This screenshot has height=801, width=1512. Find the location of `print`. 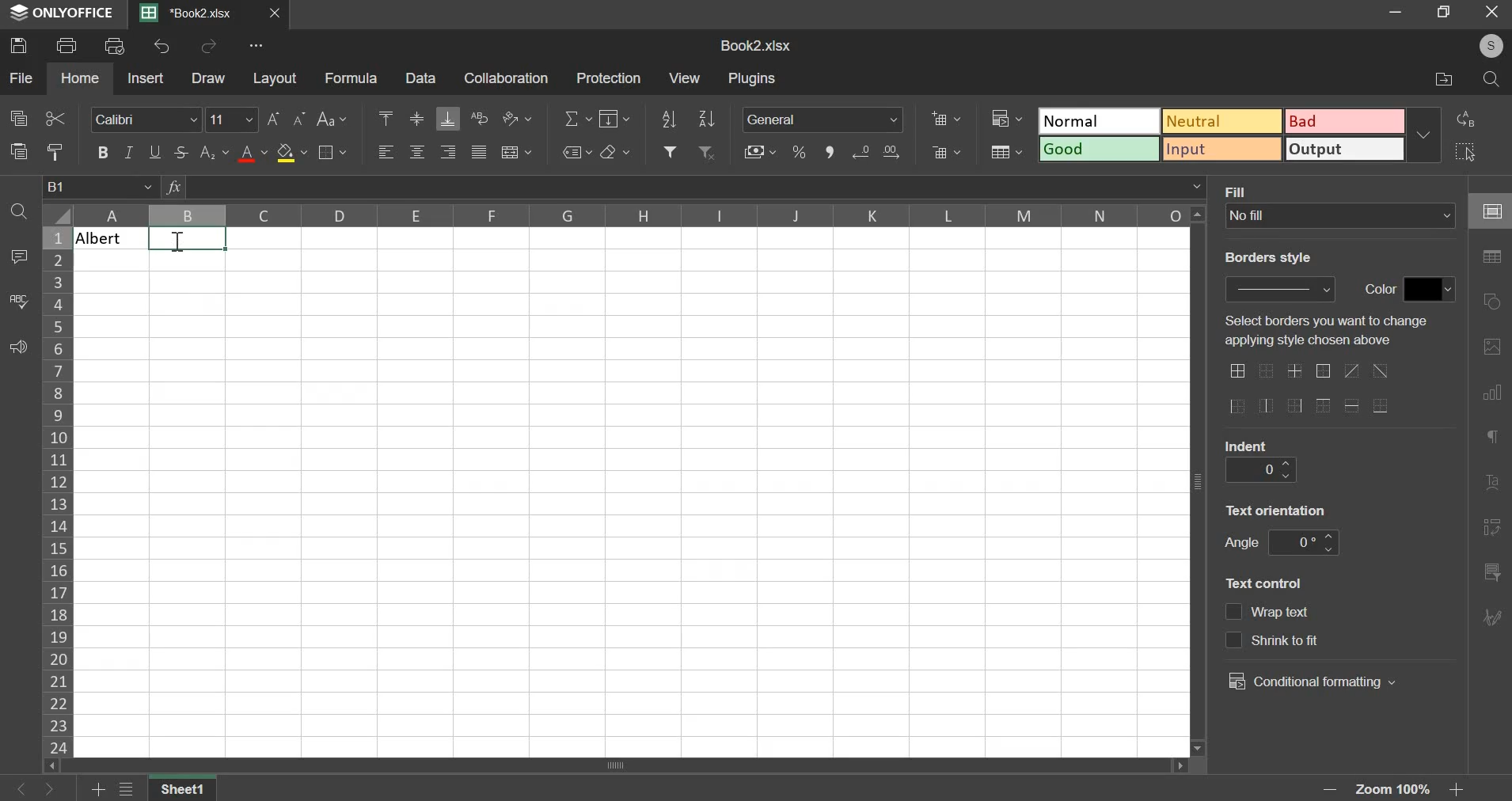

print is located at coordinates (67, 44).